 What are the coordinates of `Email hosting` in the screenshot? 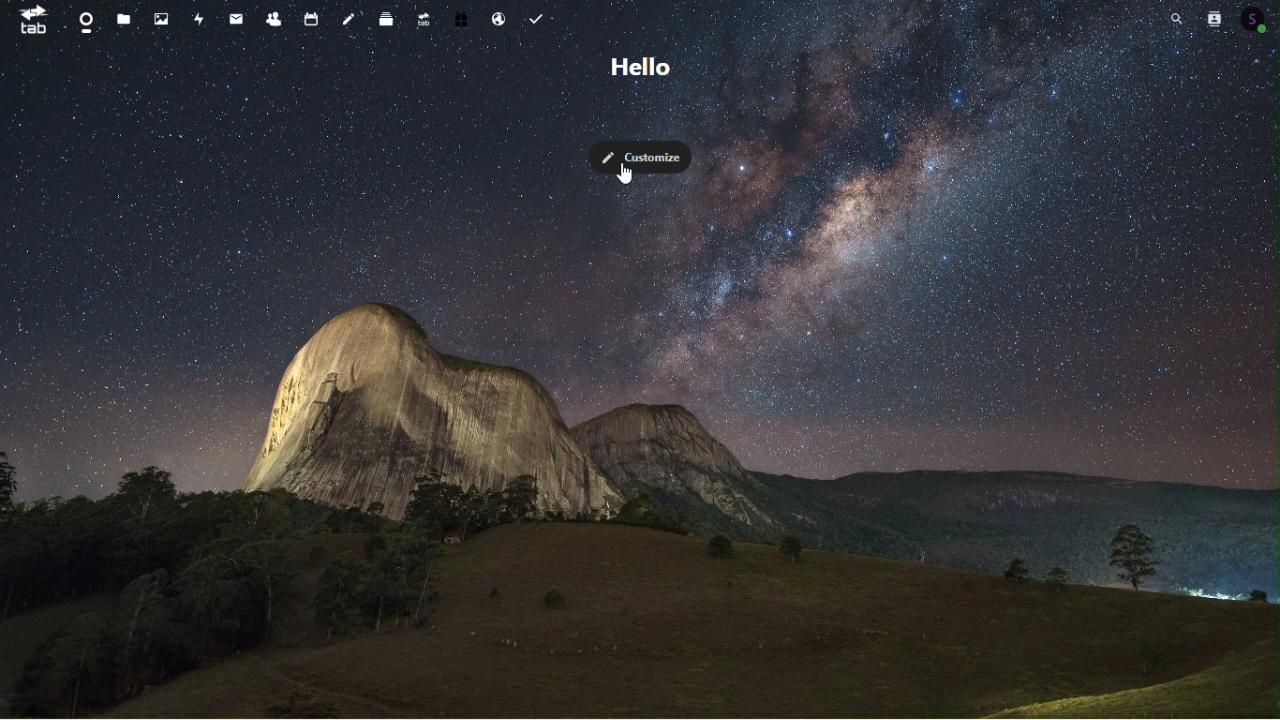 It's located at (498, 17).